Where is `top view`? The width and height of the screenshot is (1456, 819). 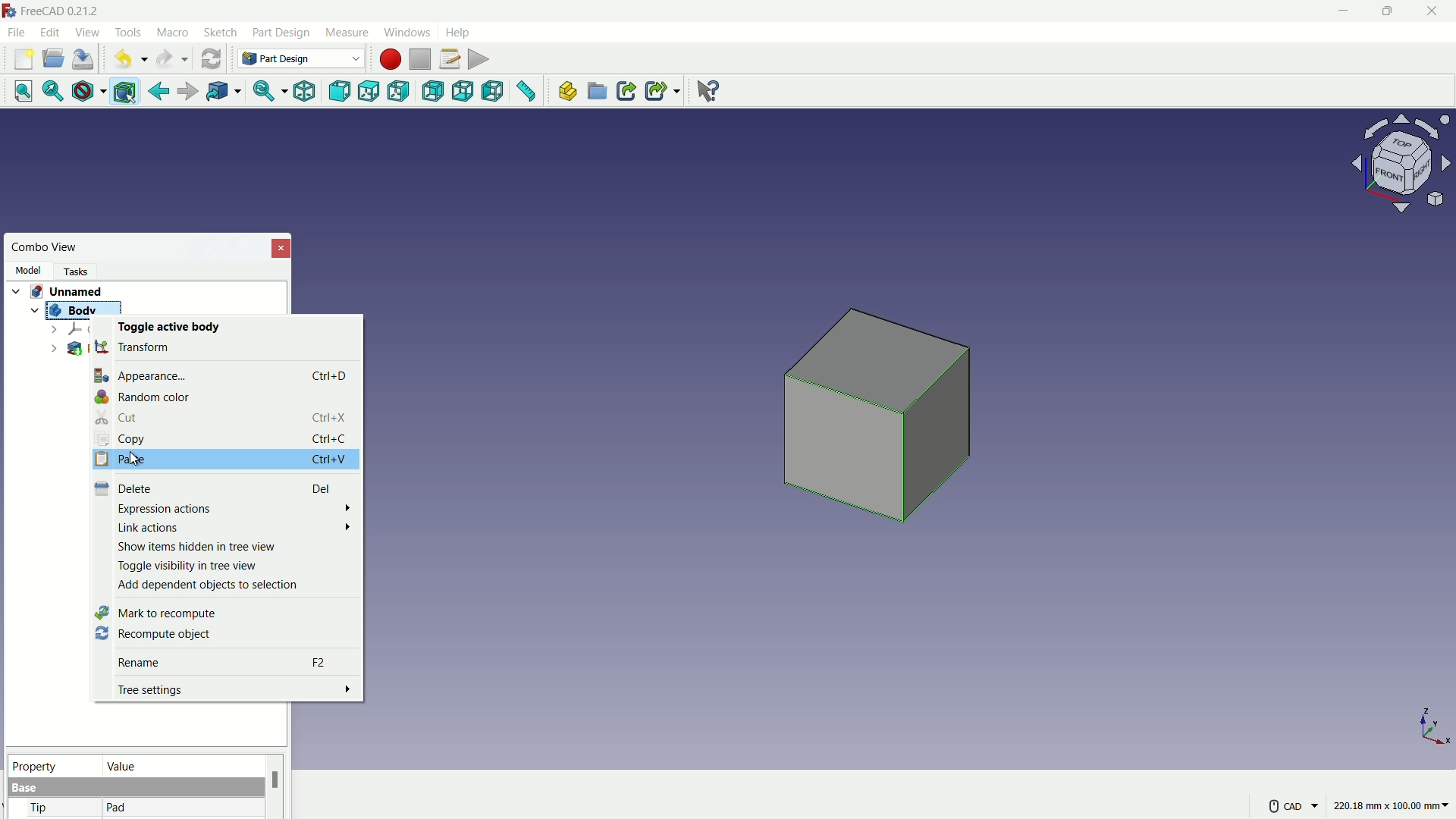
top view is located at coordinates (372, 91).